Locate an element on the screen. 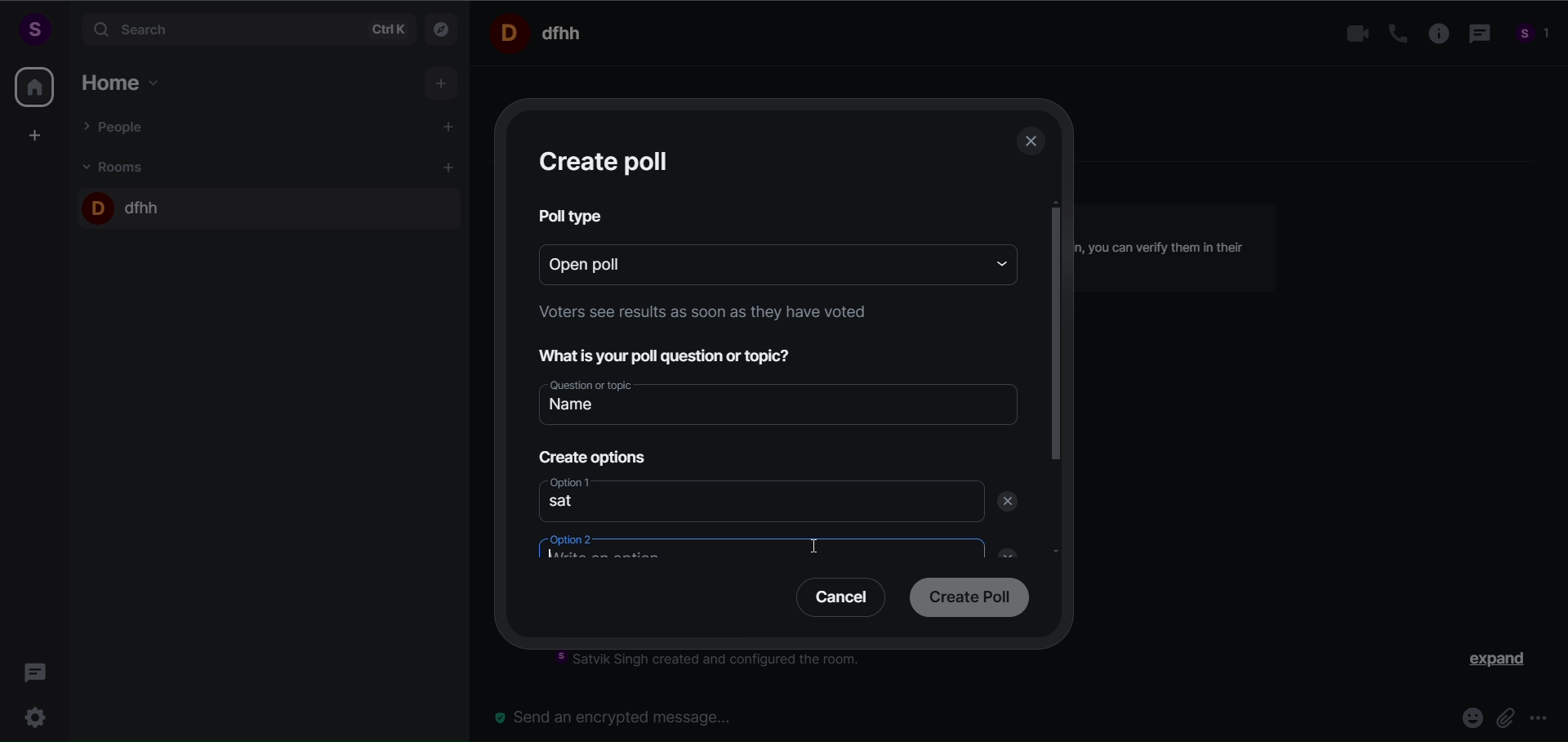  question is located at coordinates (676, 354).